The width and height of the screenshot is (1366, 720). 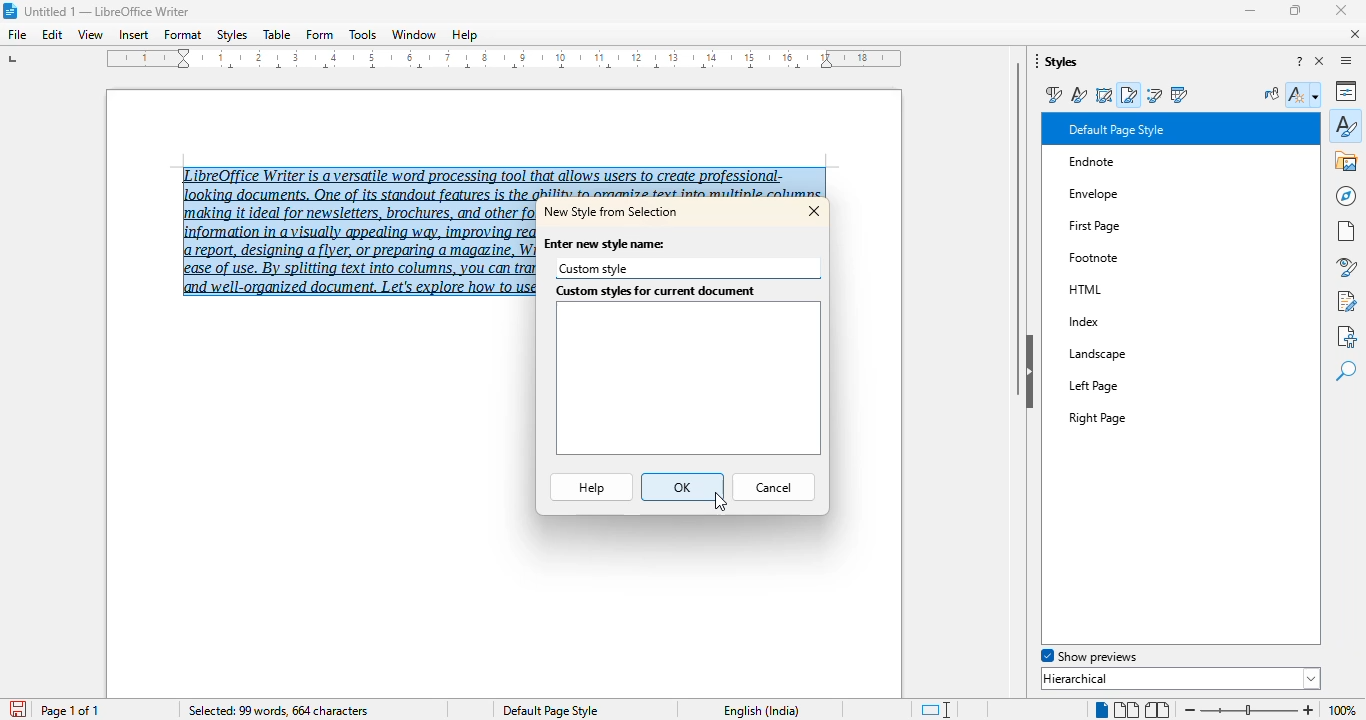 What do you see at coordinates (1097, 710) in the screenshot?
I see `single page view` at bounding box center [1097, 710].